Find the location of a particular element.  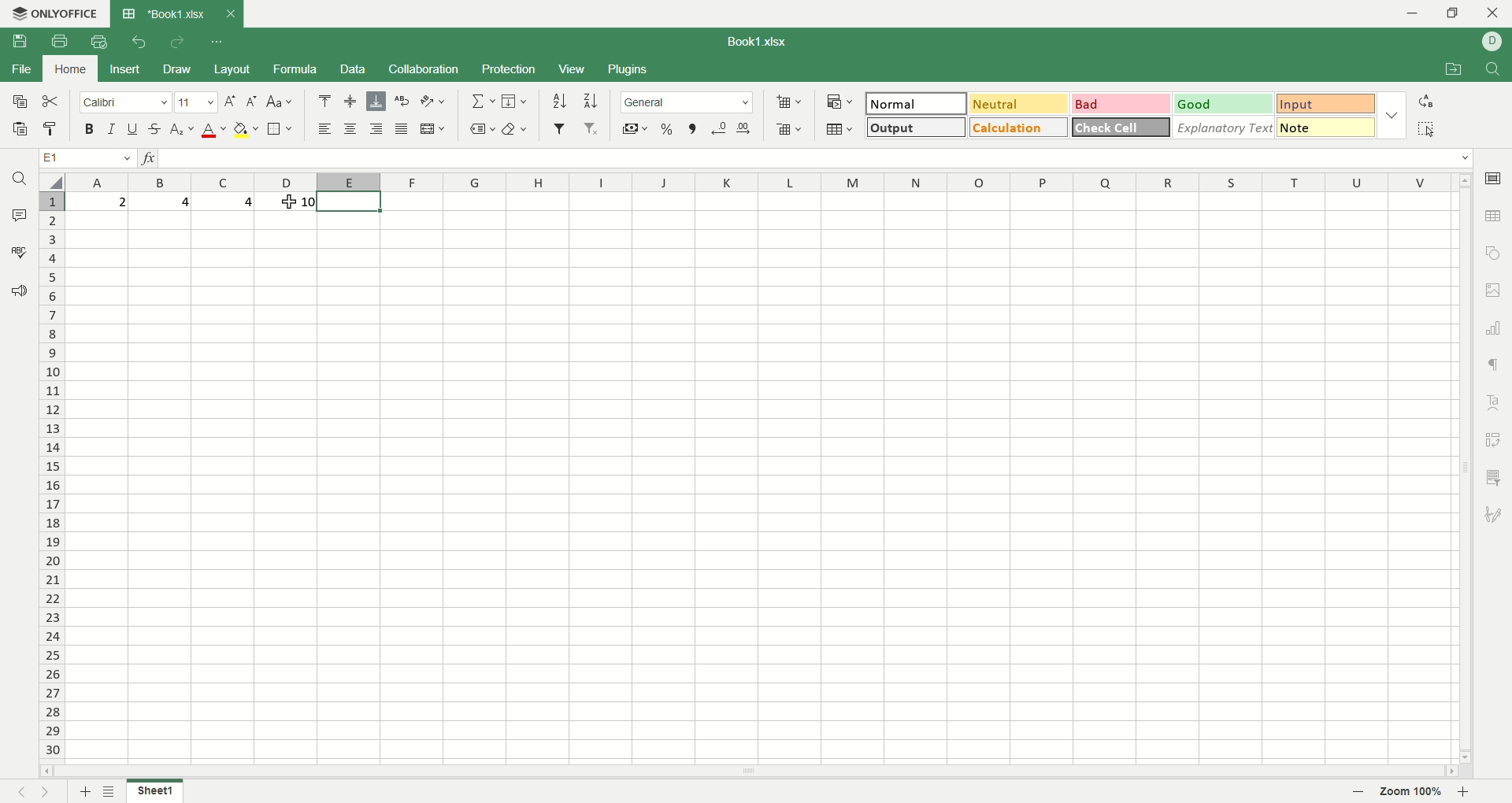

note is located at coordinates (1325, 128).